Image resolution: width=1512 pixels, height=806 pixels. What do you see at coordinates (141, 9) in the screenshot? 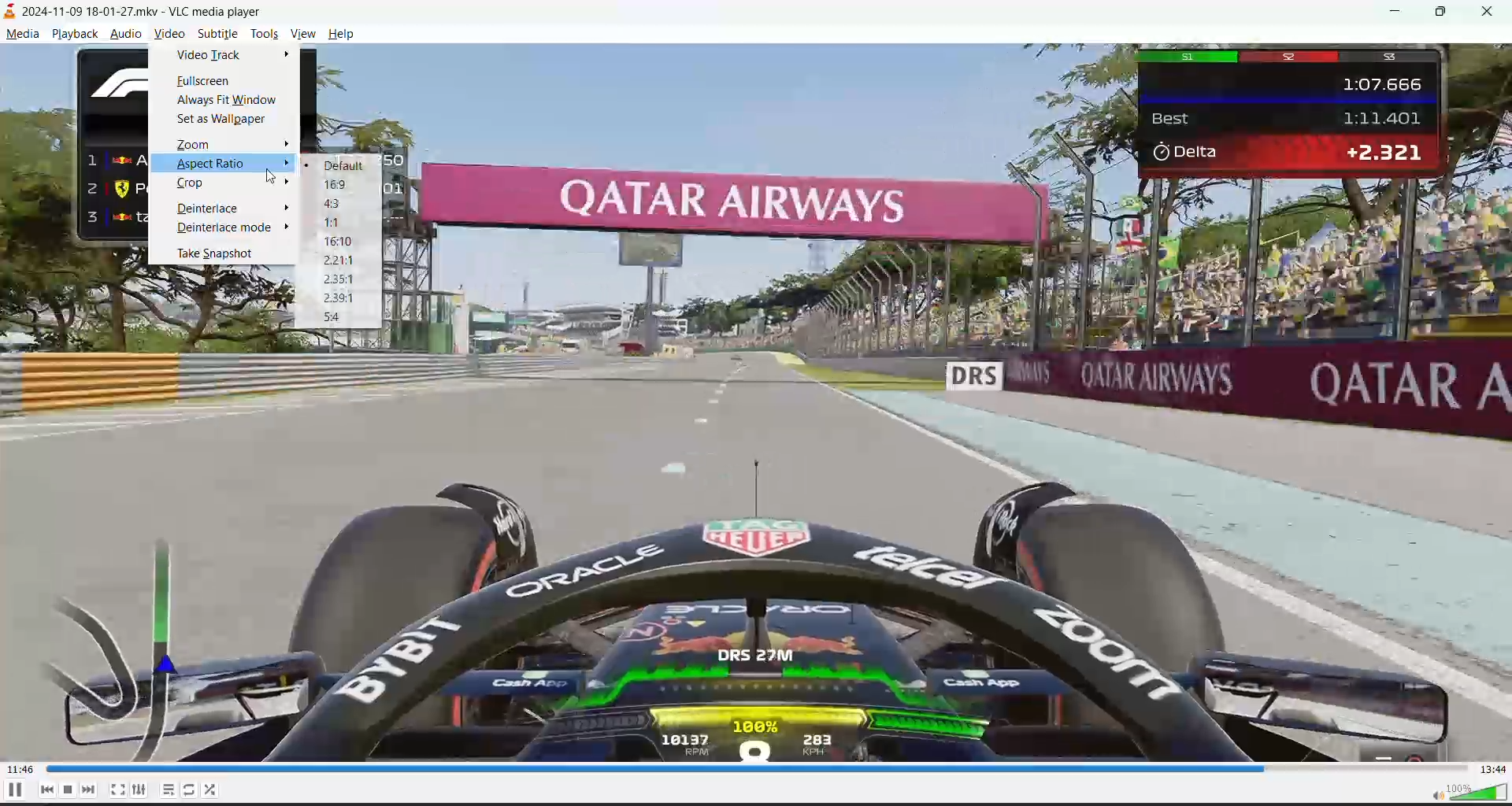
I see `track and app name` at bounding box center [141, 9].